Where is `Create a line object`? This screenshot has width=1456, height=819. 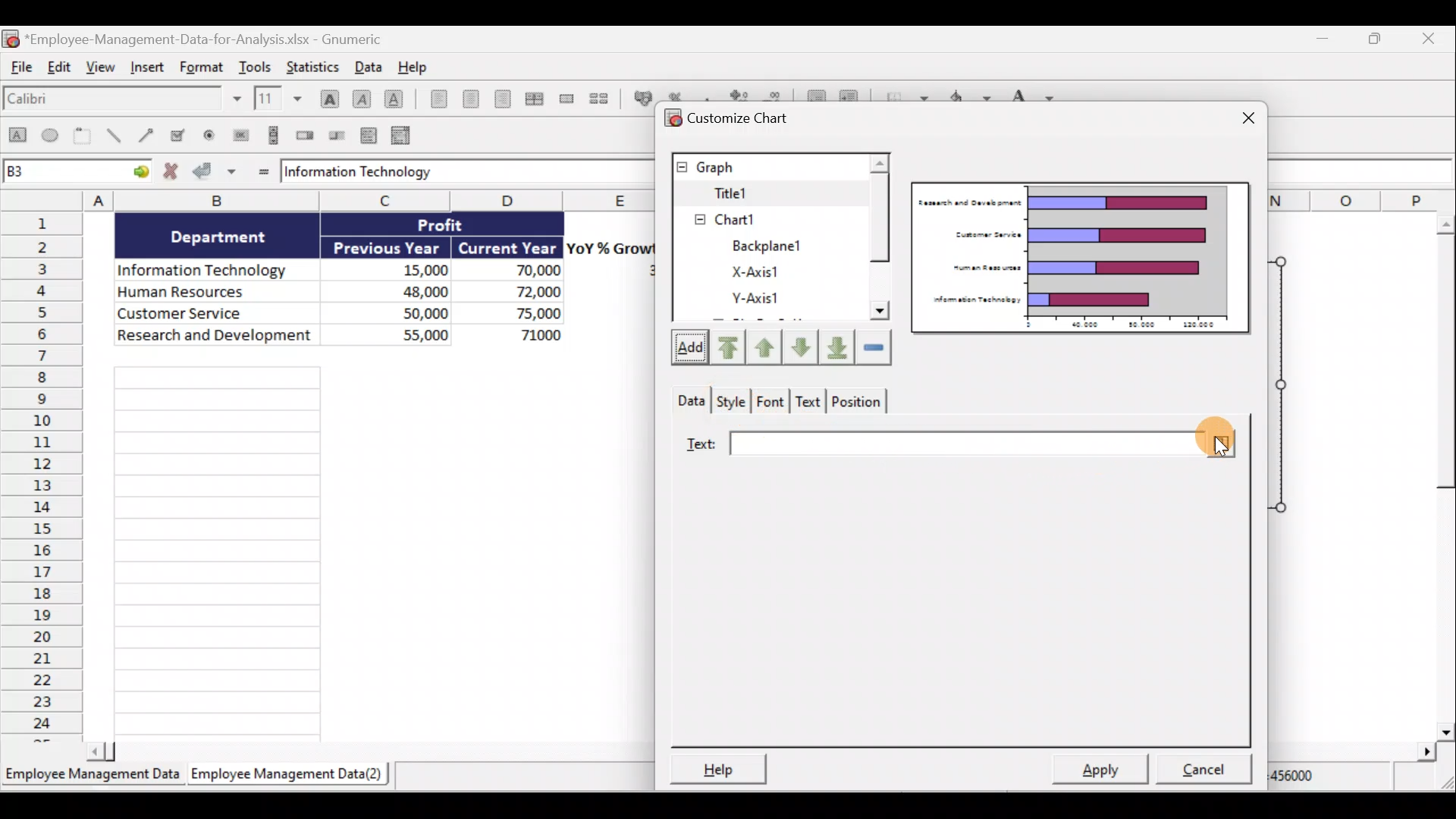 Create a line object is located at coordinates (113, 137).